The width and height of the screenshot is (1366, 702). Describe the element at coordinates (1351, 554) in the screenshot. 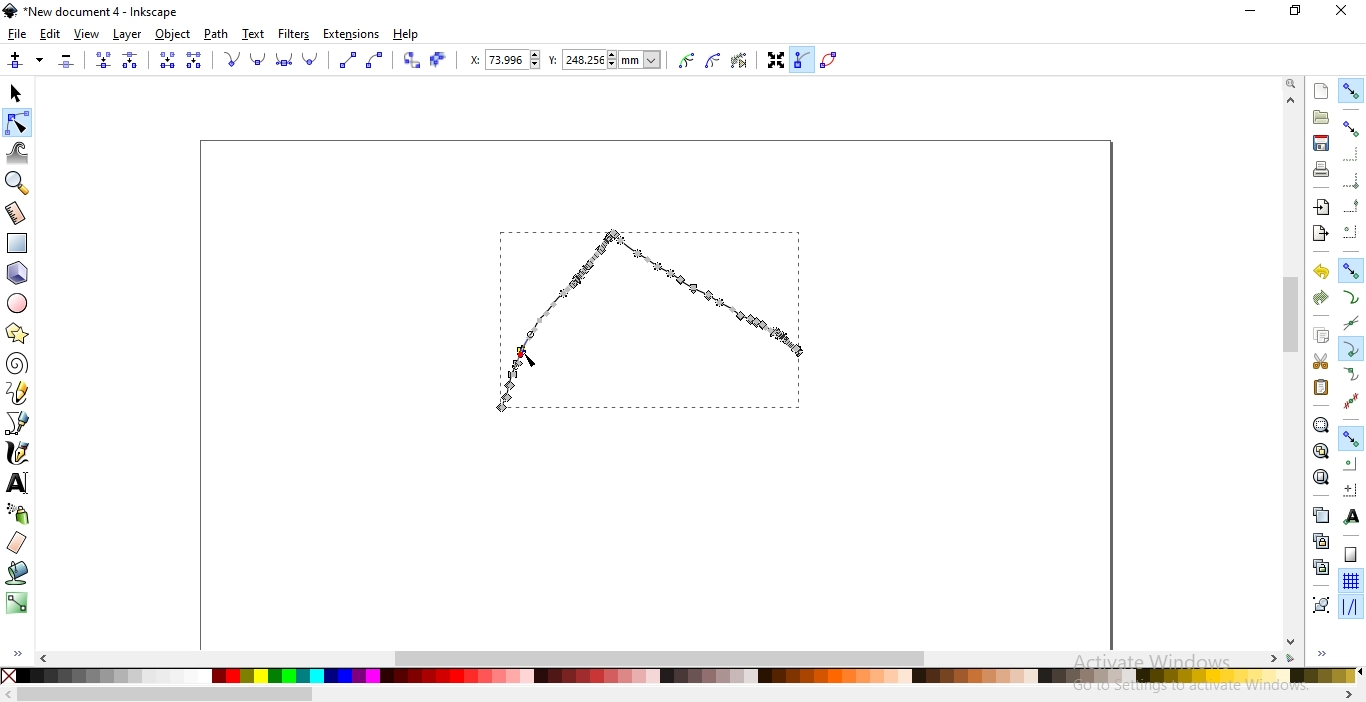

I see `` at that location.